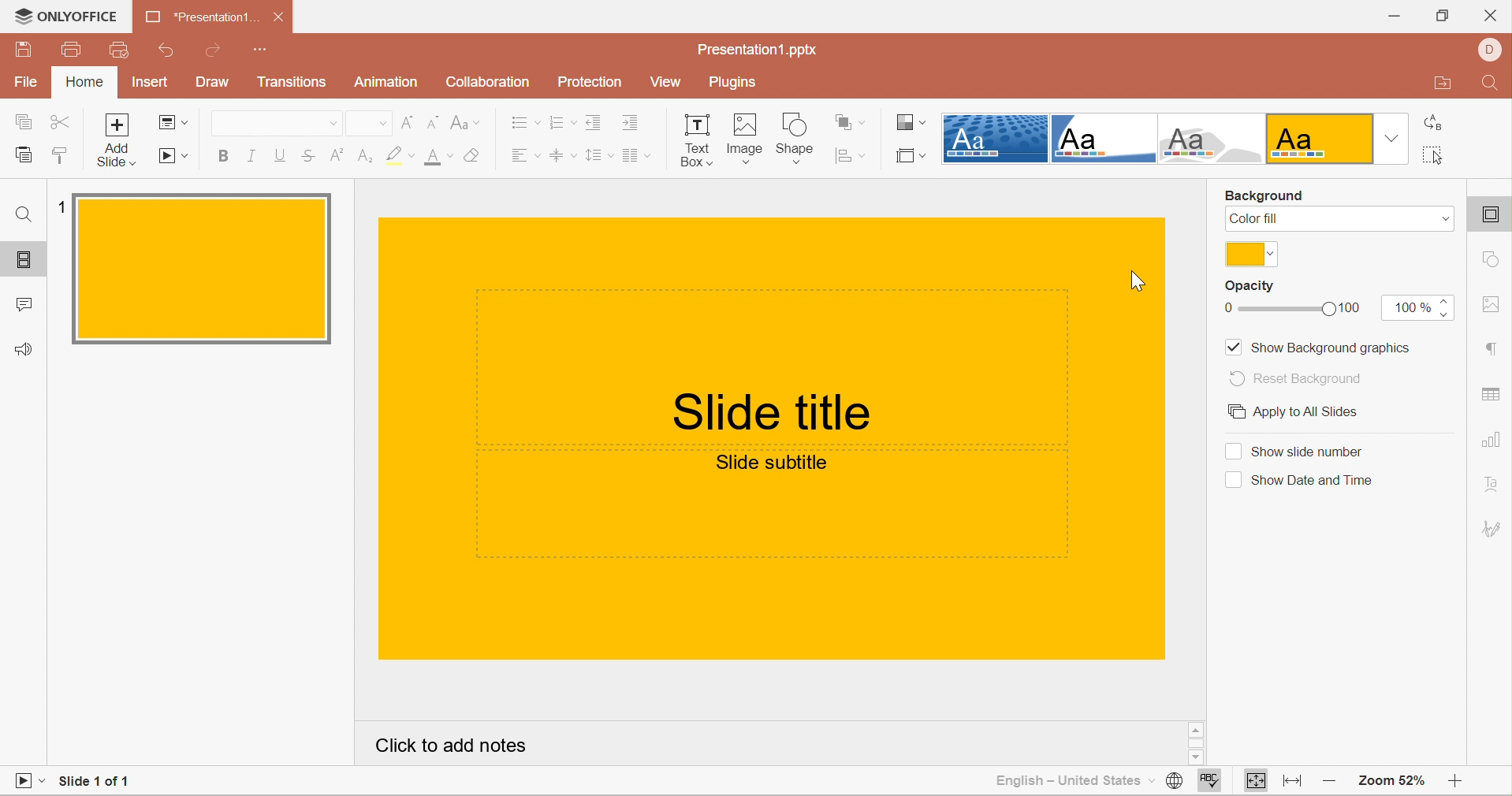 The height and width of the screenshot is (796, 1512). Describe the element at coordinates (1434, 125) in the screenshot. I see `Replace` at that location.